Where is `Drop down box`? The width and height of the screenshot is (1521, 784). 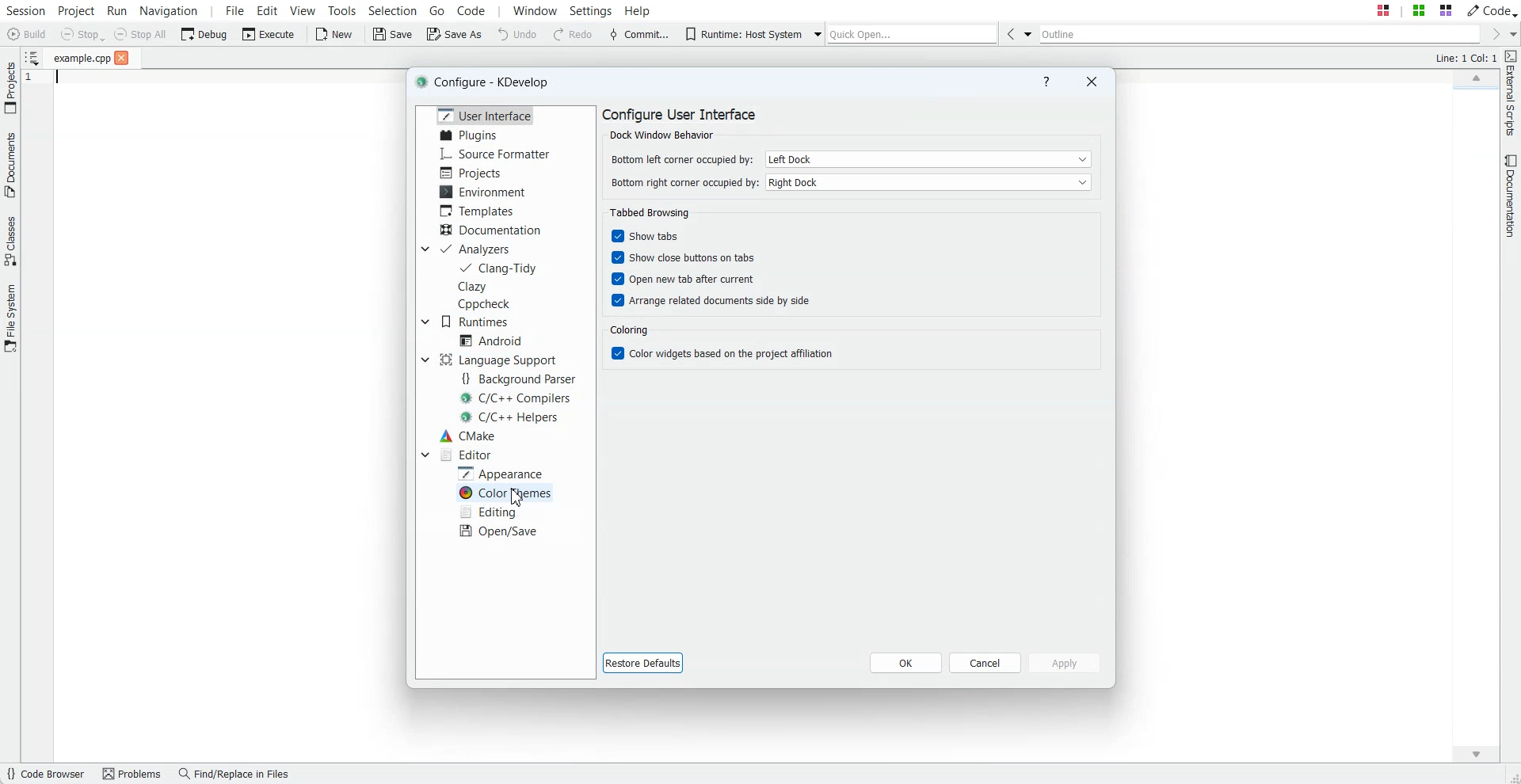 Drop down box is located at coordinates (1511, 34).